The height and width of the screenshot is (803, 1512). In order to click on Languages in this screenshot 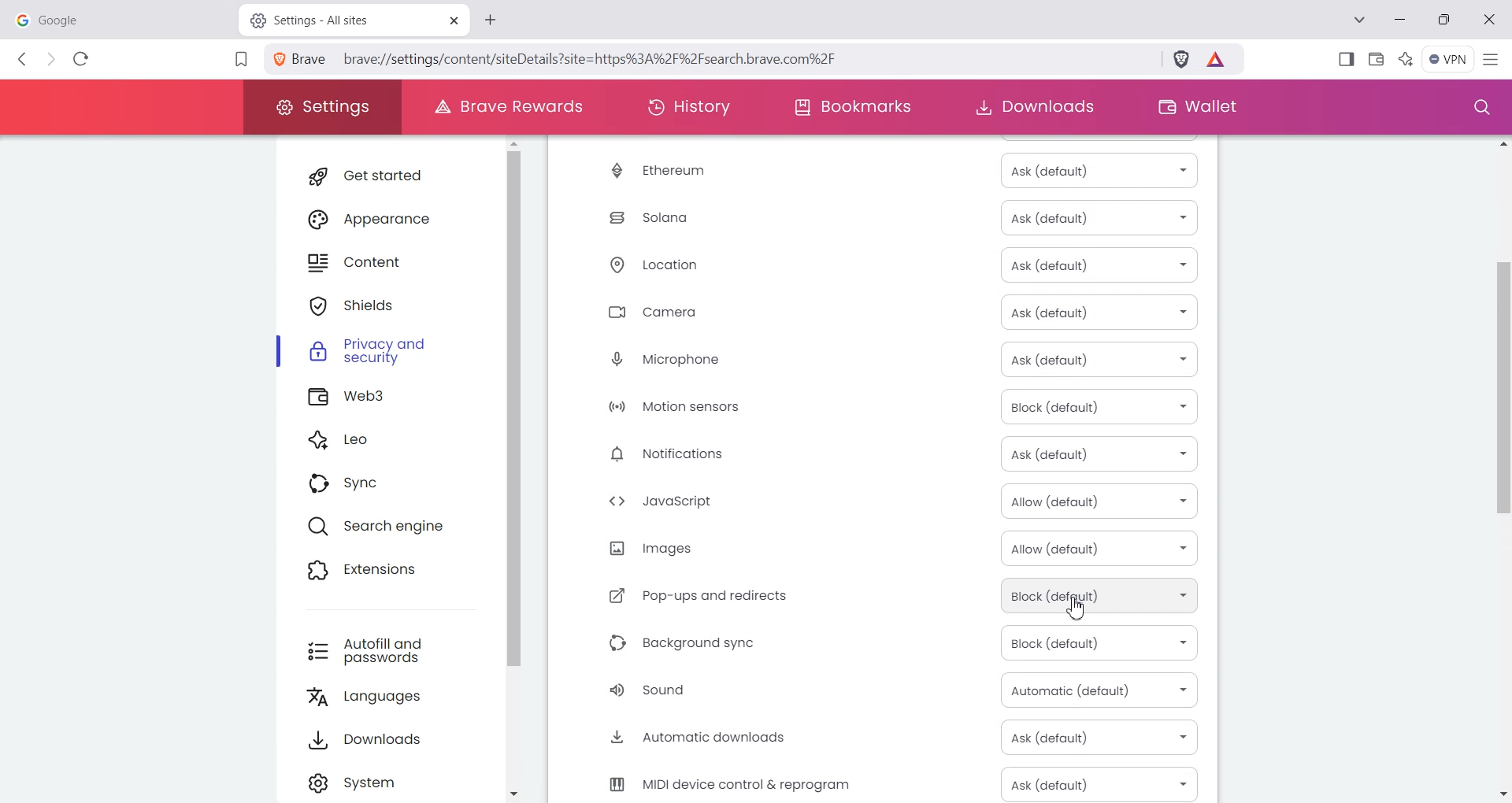, I will do `click(396, 699)`.